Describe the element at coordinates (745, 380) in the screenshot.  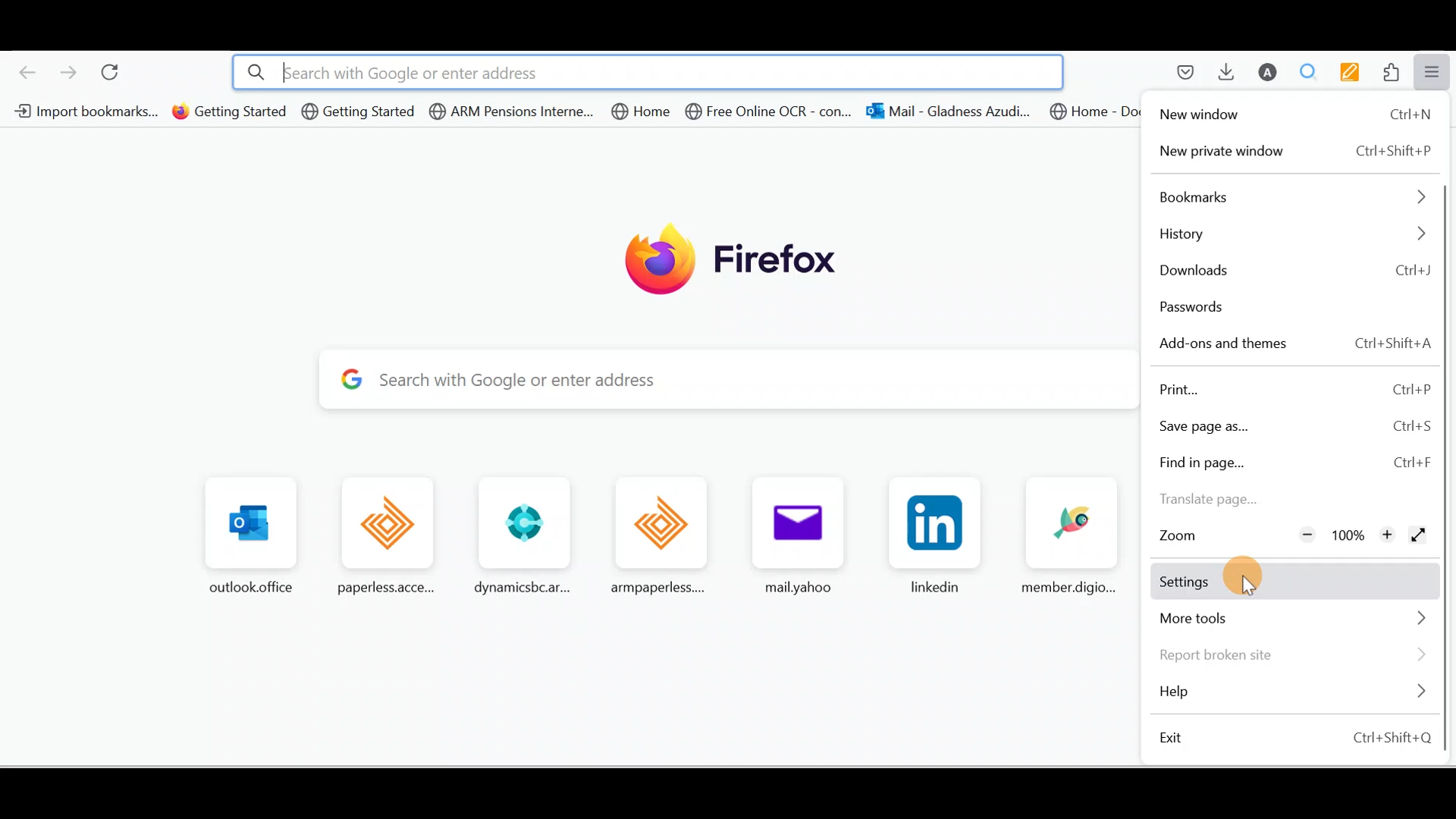
I see `Search with Google or enter address` at that location.